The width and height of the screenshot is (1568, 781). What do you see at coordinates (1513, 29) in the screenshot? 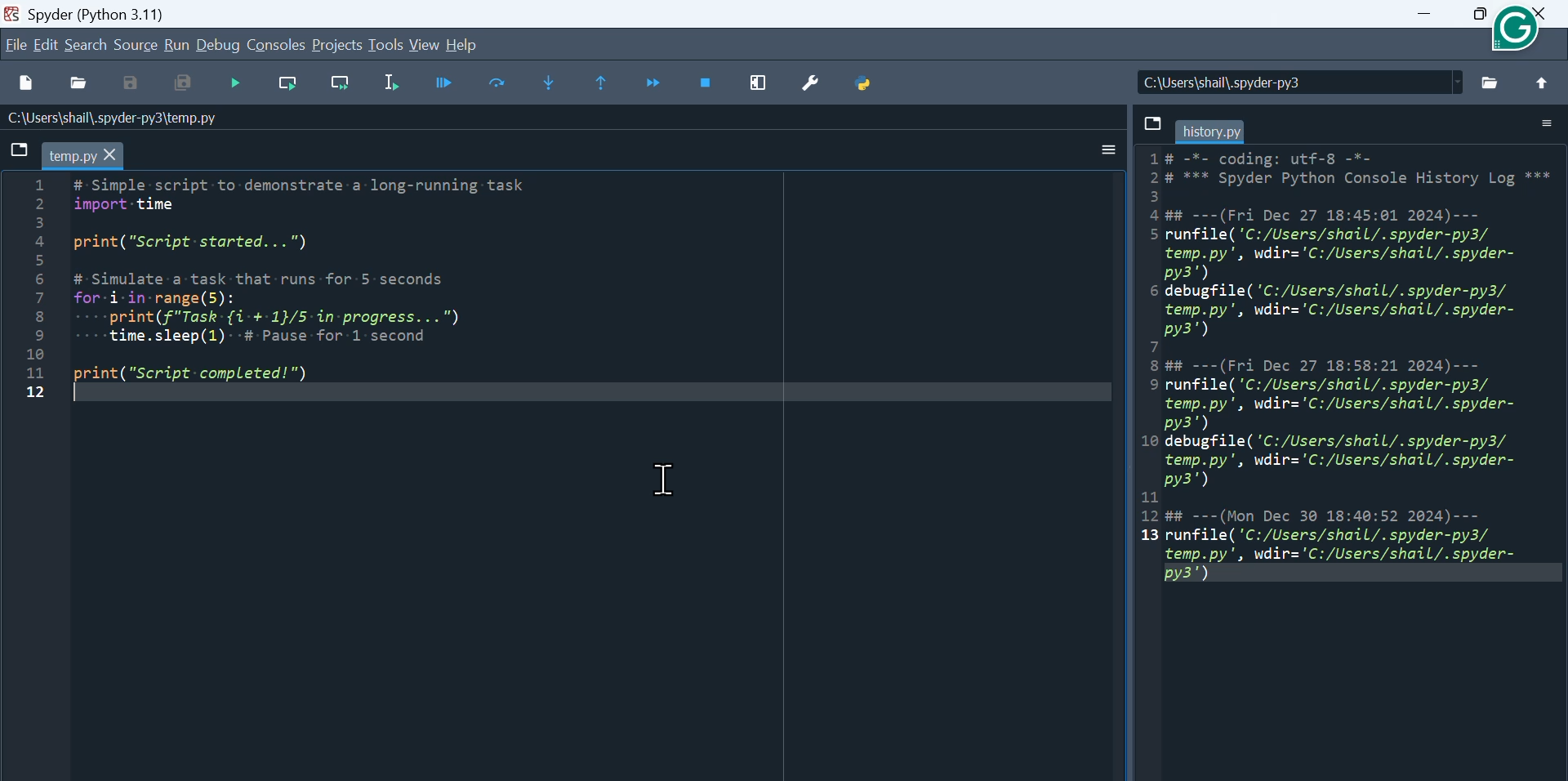
I see `icon` at bounding box center [1513, 29].